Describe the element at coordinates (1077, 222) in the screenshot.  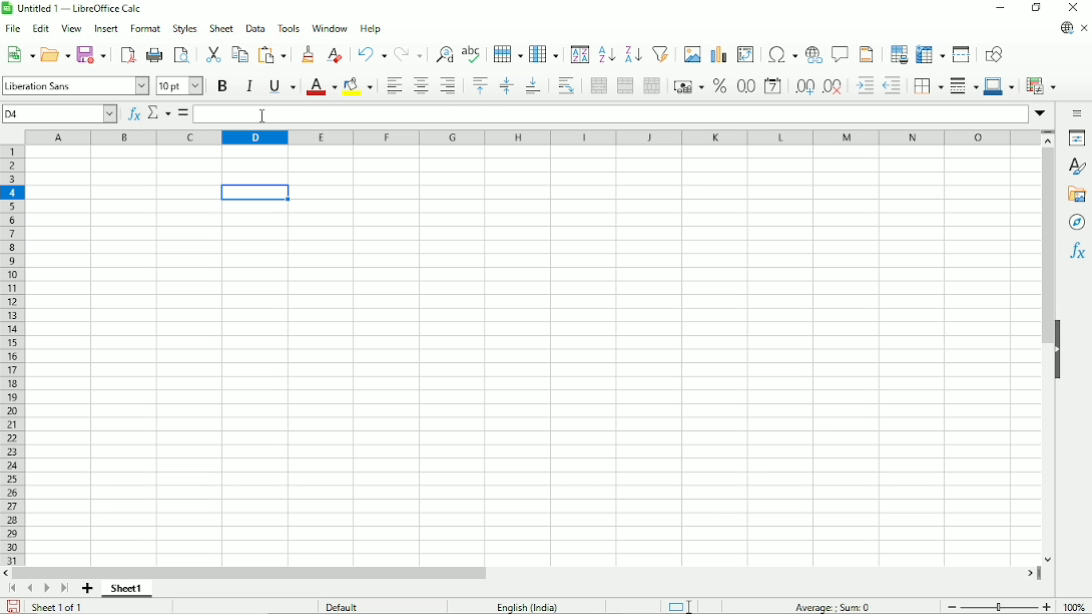
I see `Navigator` at that location.